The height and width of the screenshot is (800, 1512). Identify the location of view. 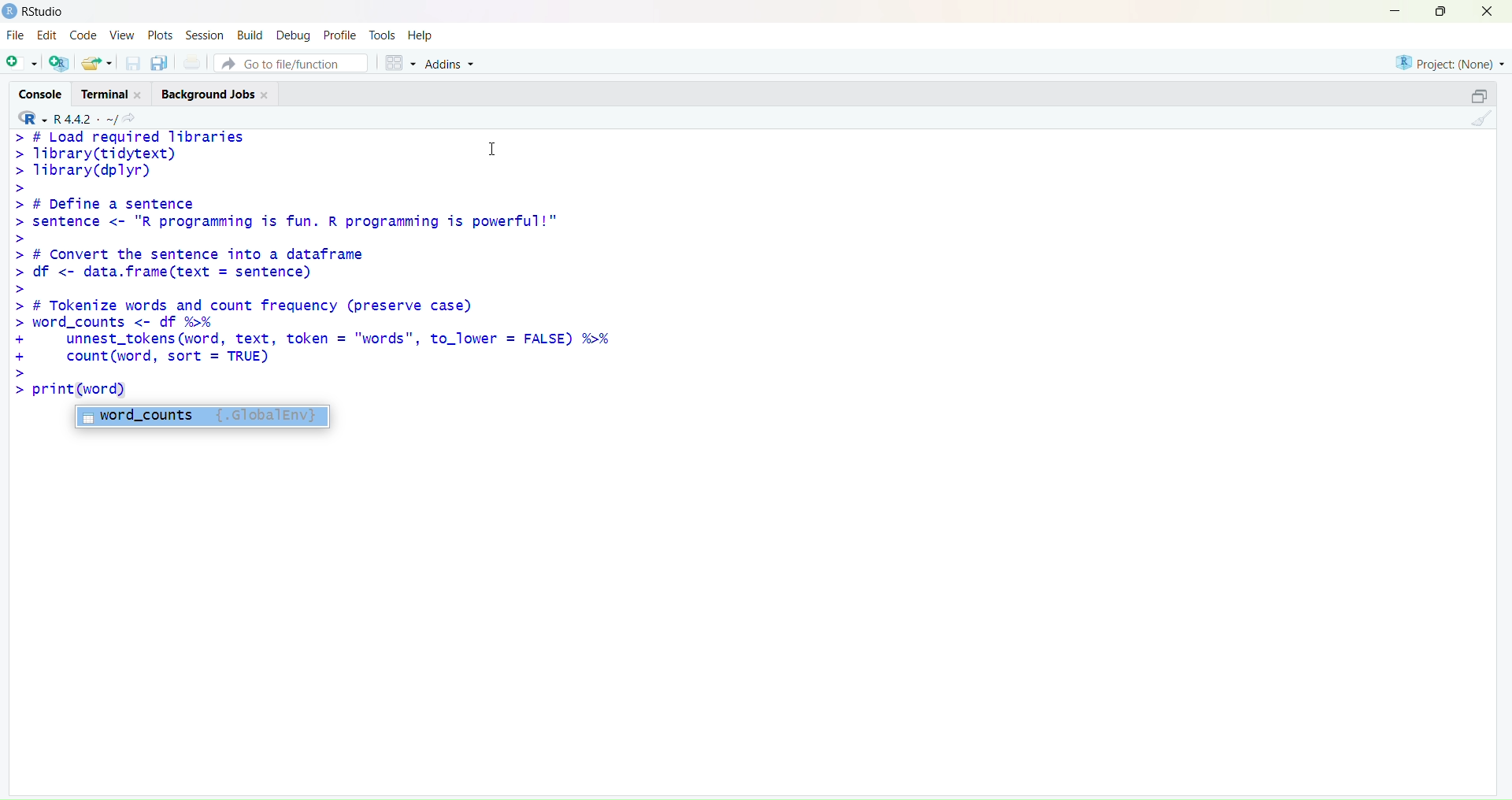
(124, 35).